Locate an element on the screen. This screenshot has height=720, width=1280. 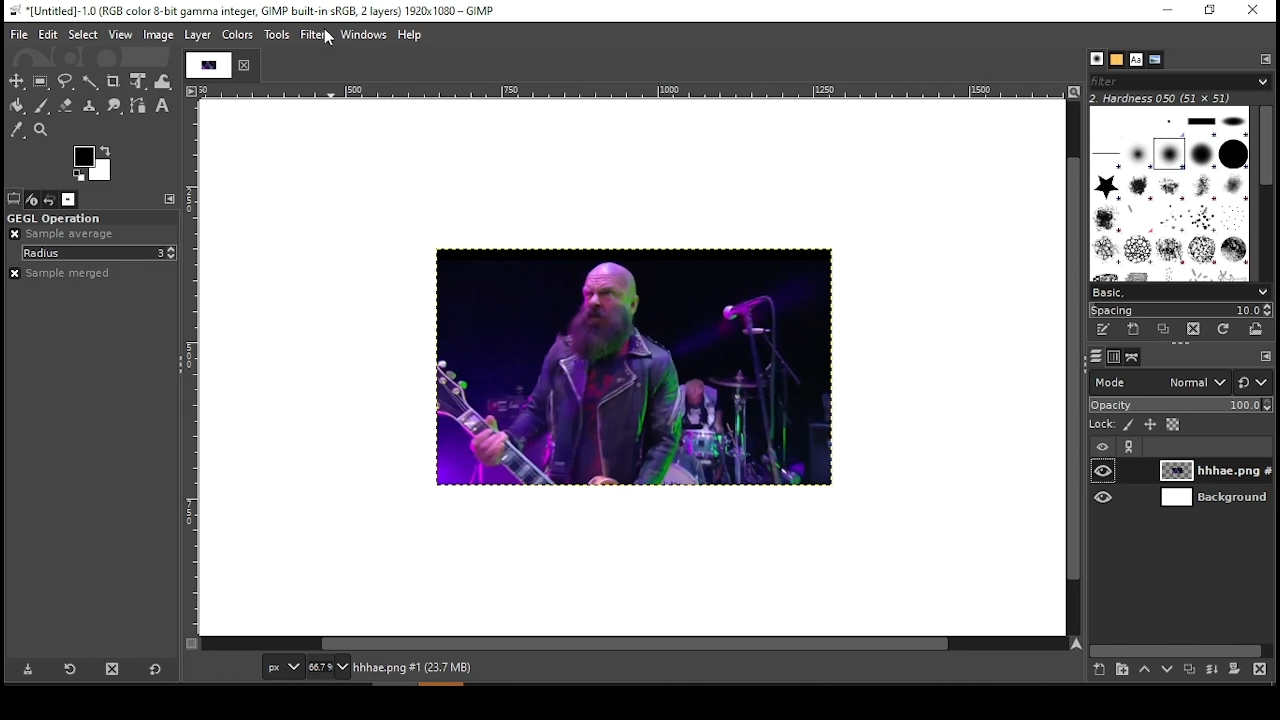
fonts is located at coordinates (1136, 59).